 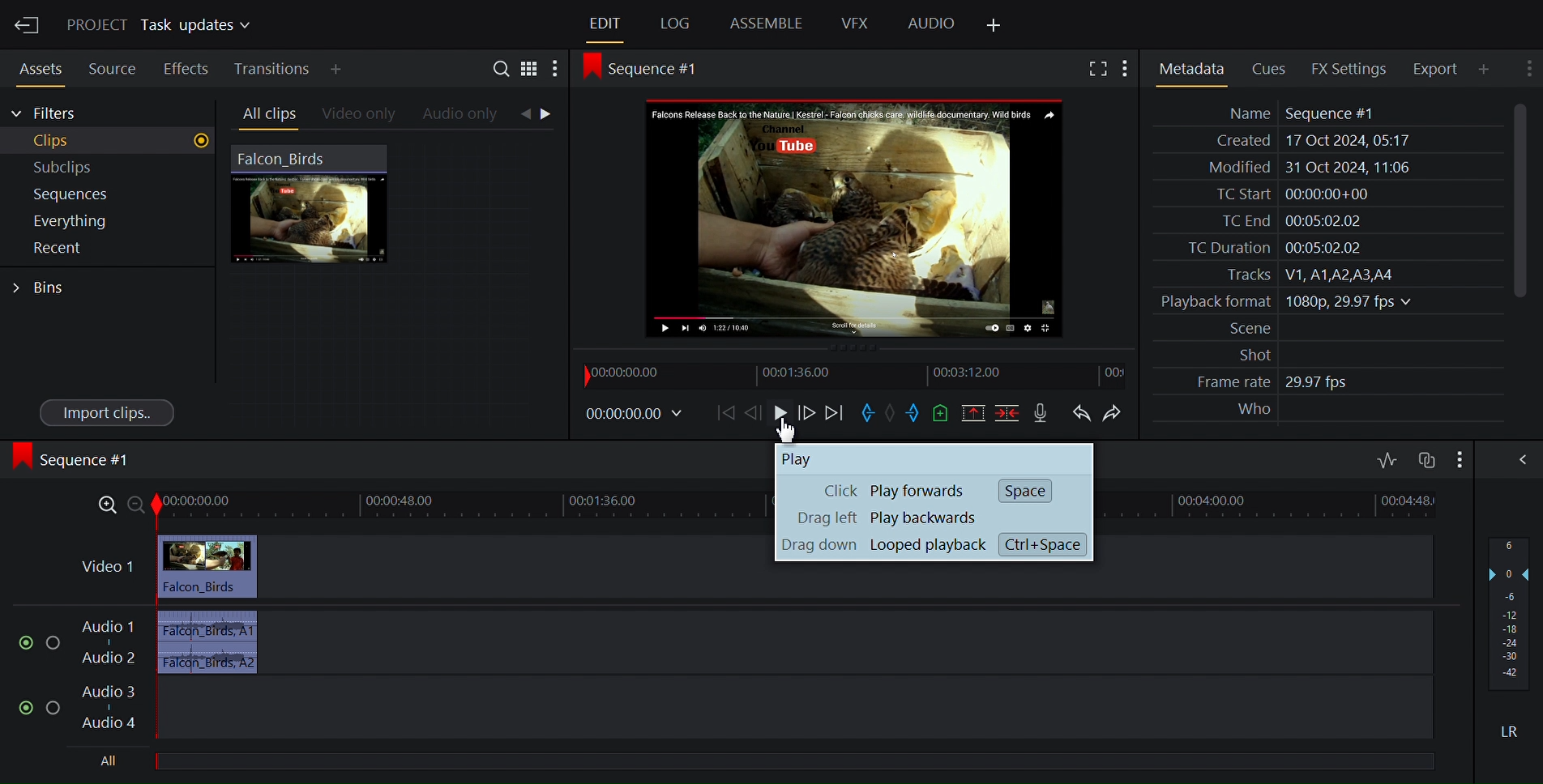 I want to click on Nudge one frame forward, so click(x=808, y=413).